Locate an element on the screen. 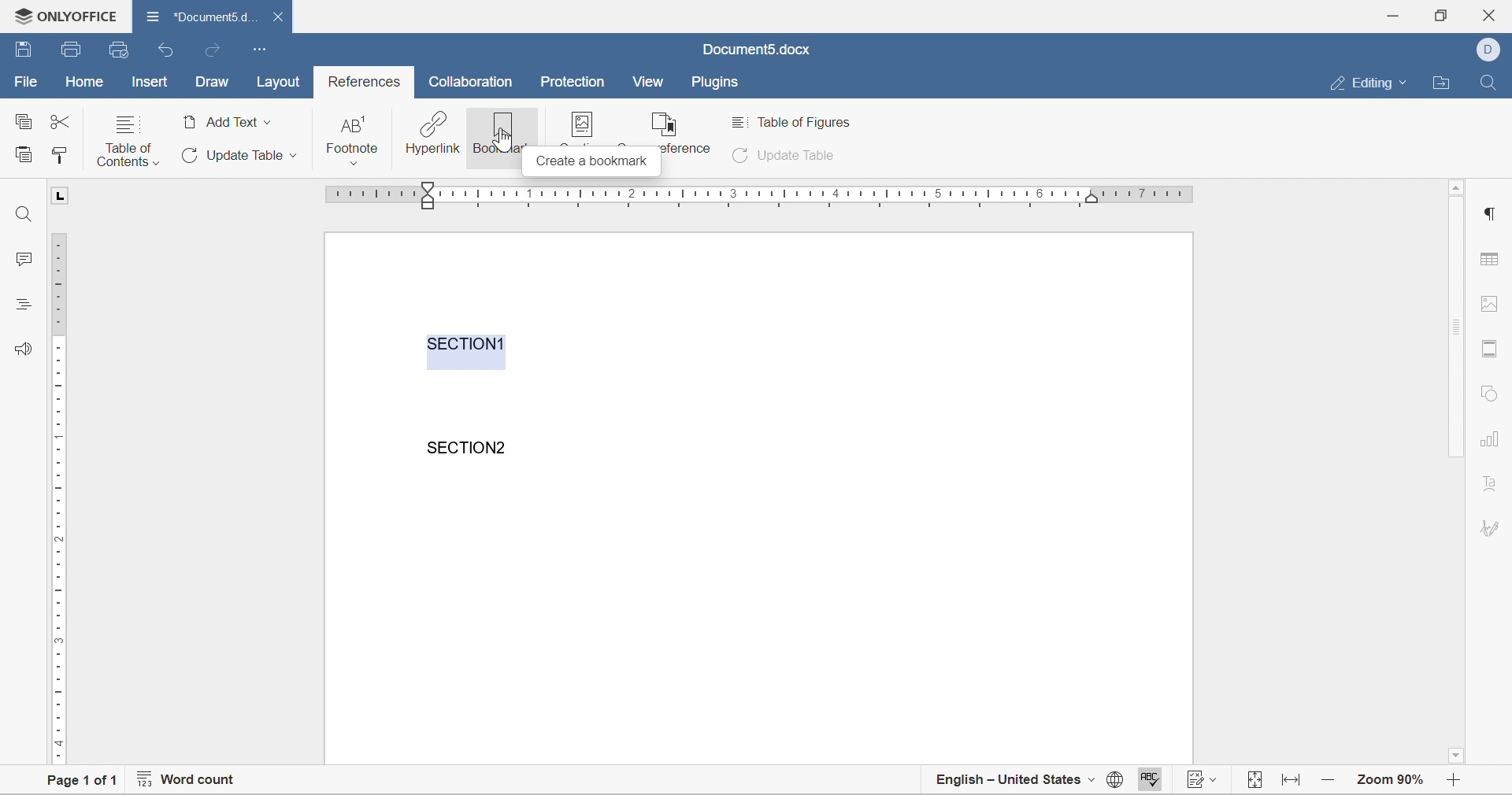 This screenshot has width=1512, height=795. update table is located at coordinates (236, 155).